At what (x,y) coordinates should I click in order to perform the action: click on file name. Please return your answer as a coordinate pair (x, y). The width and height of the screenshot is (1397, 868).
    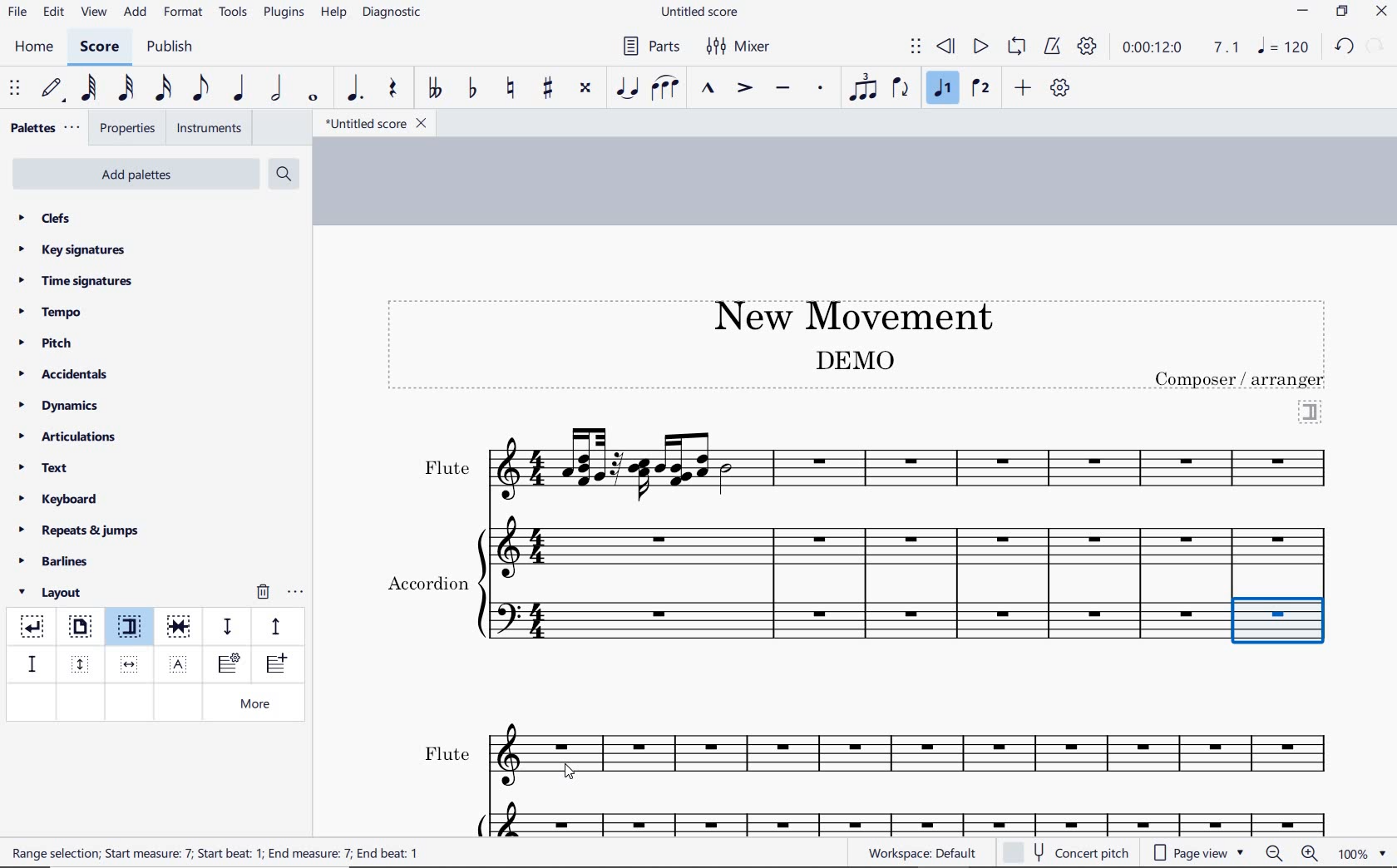
    Looking at the image, I should click on (374, 124).